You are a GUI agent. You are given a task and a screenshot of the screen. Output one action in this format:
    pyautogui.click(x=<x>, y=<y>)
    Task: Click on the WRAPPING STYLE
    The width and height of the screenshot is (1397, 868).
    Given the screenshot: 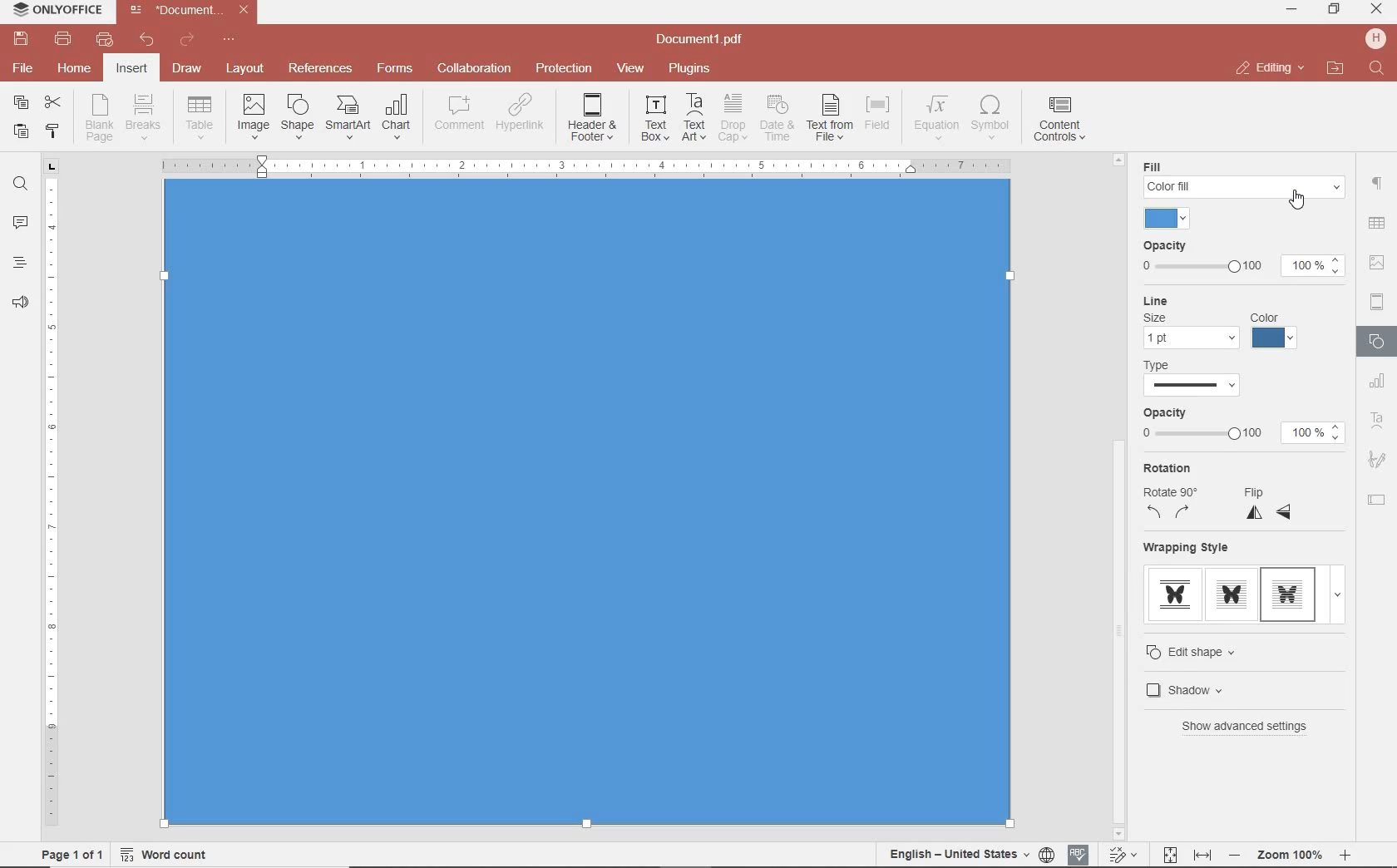 What is the action you would take?
    pyautogui.click(x=1238, y=579)
    